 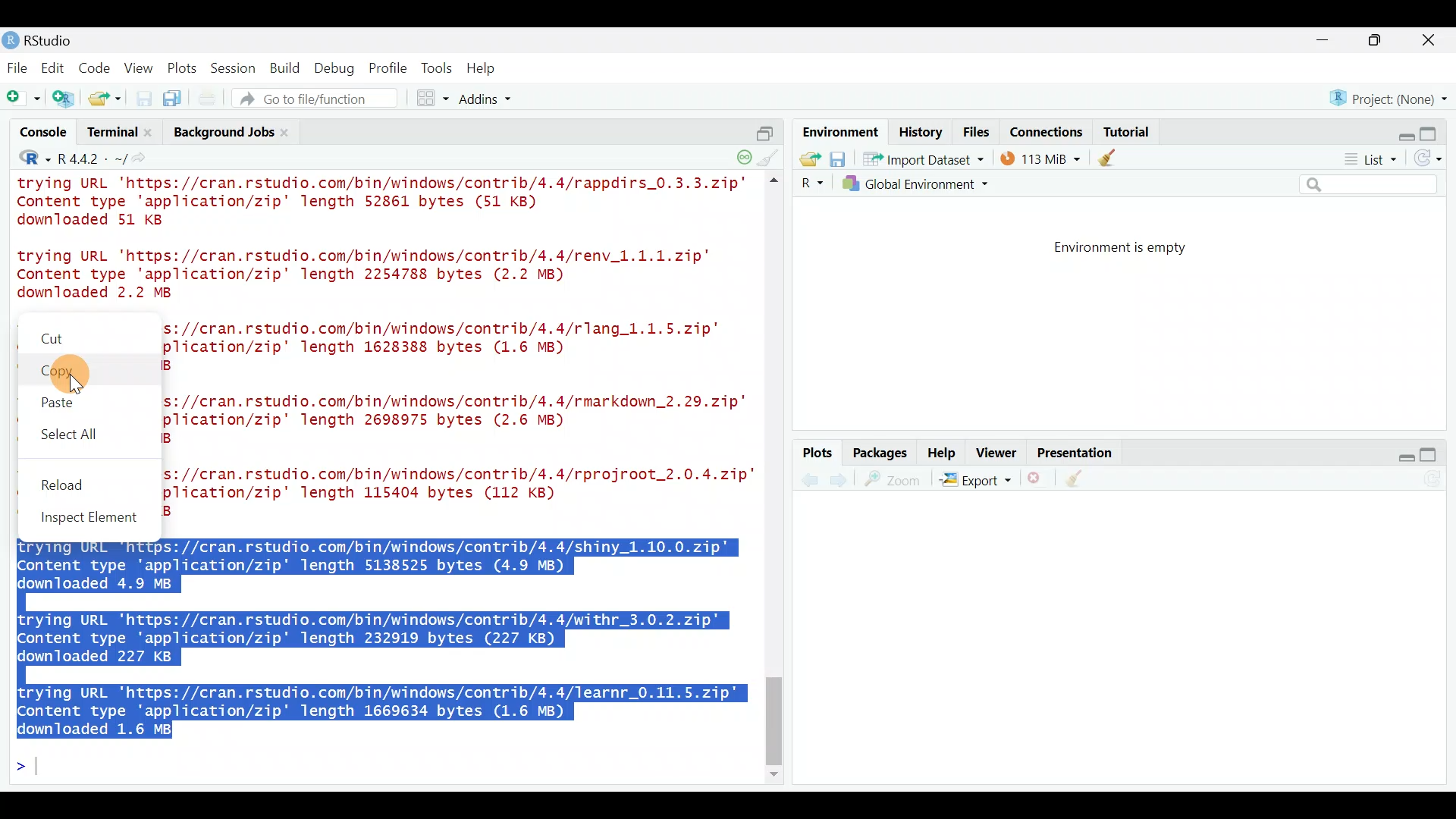 I want to click on Tools, so click(x=438, y=67).